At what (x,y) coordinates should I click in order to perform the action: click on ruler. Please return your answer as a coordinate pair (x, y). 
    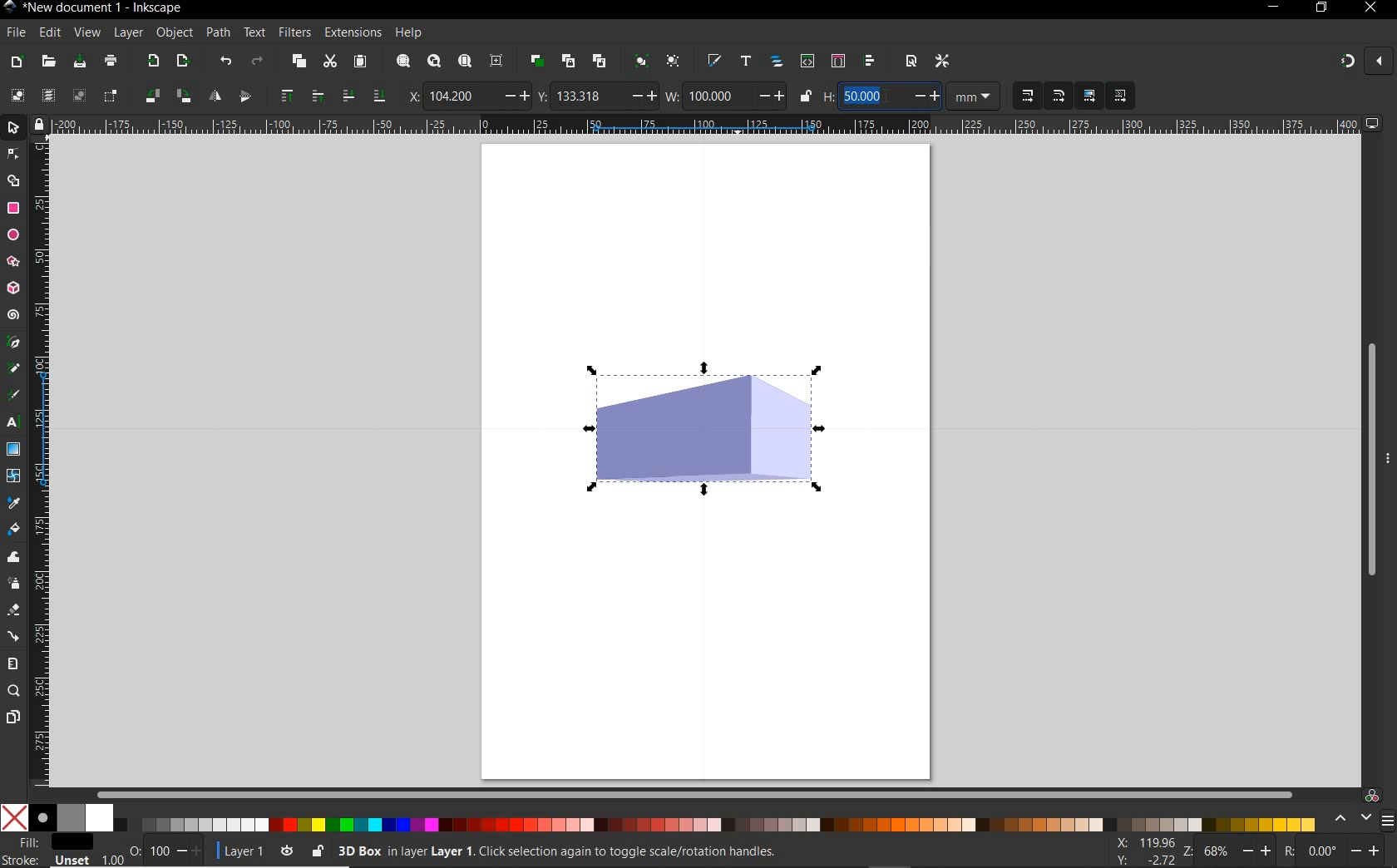
    Looking at the image, I should click on (705, 125).